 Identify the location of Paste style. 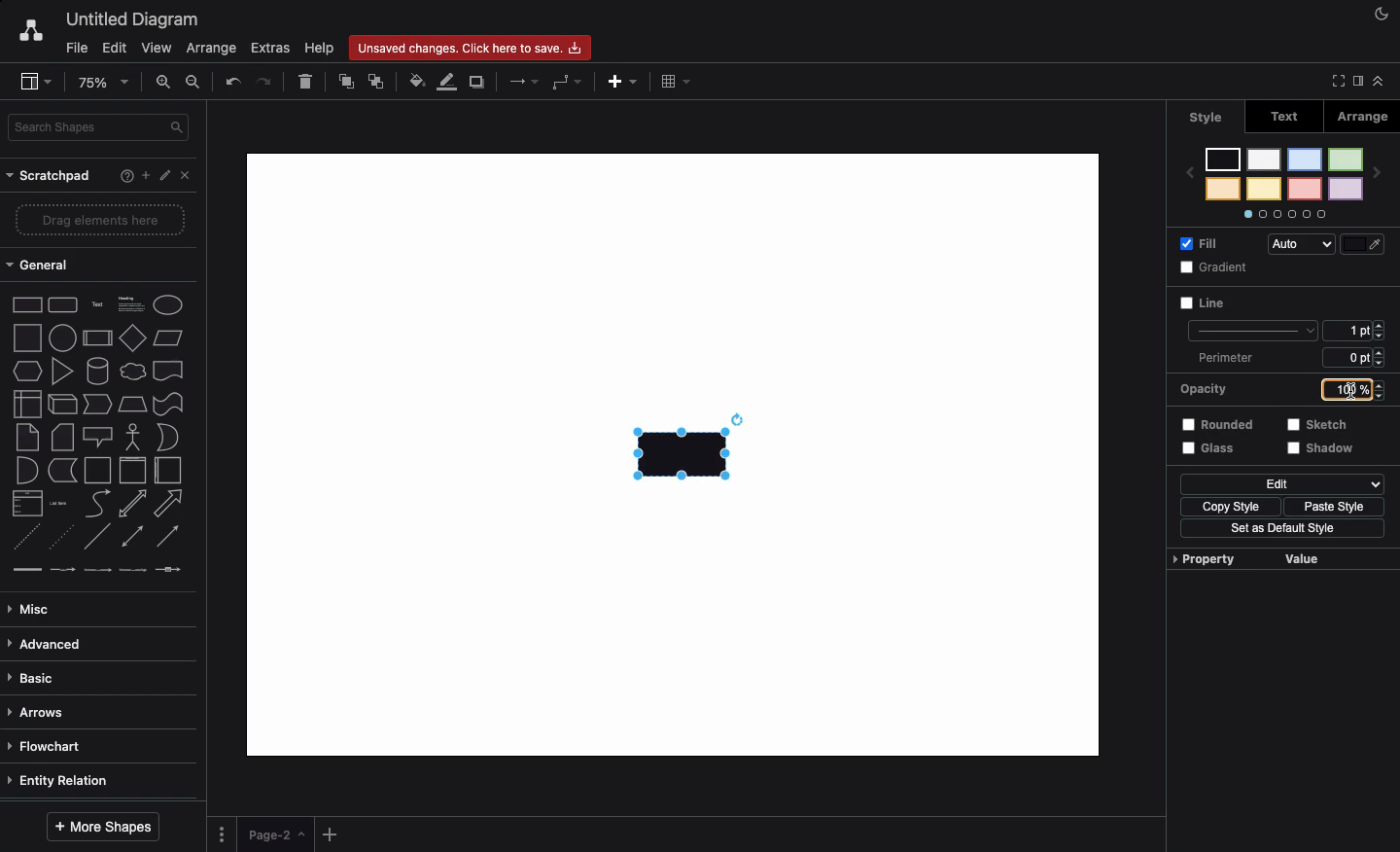
(1329, 505).